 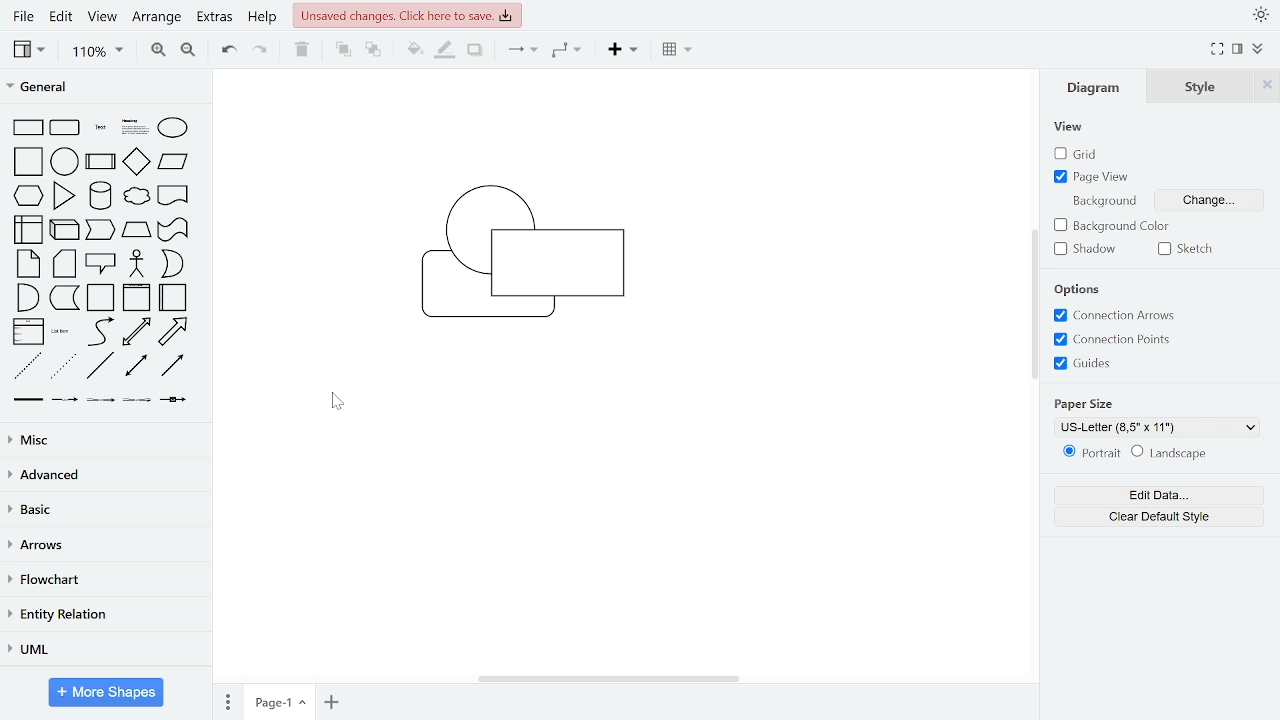 I want to click on Cursor, so click(x=337, y=402).